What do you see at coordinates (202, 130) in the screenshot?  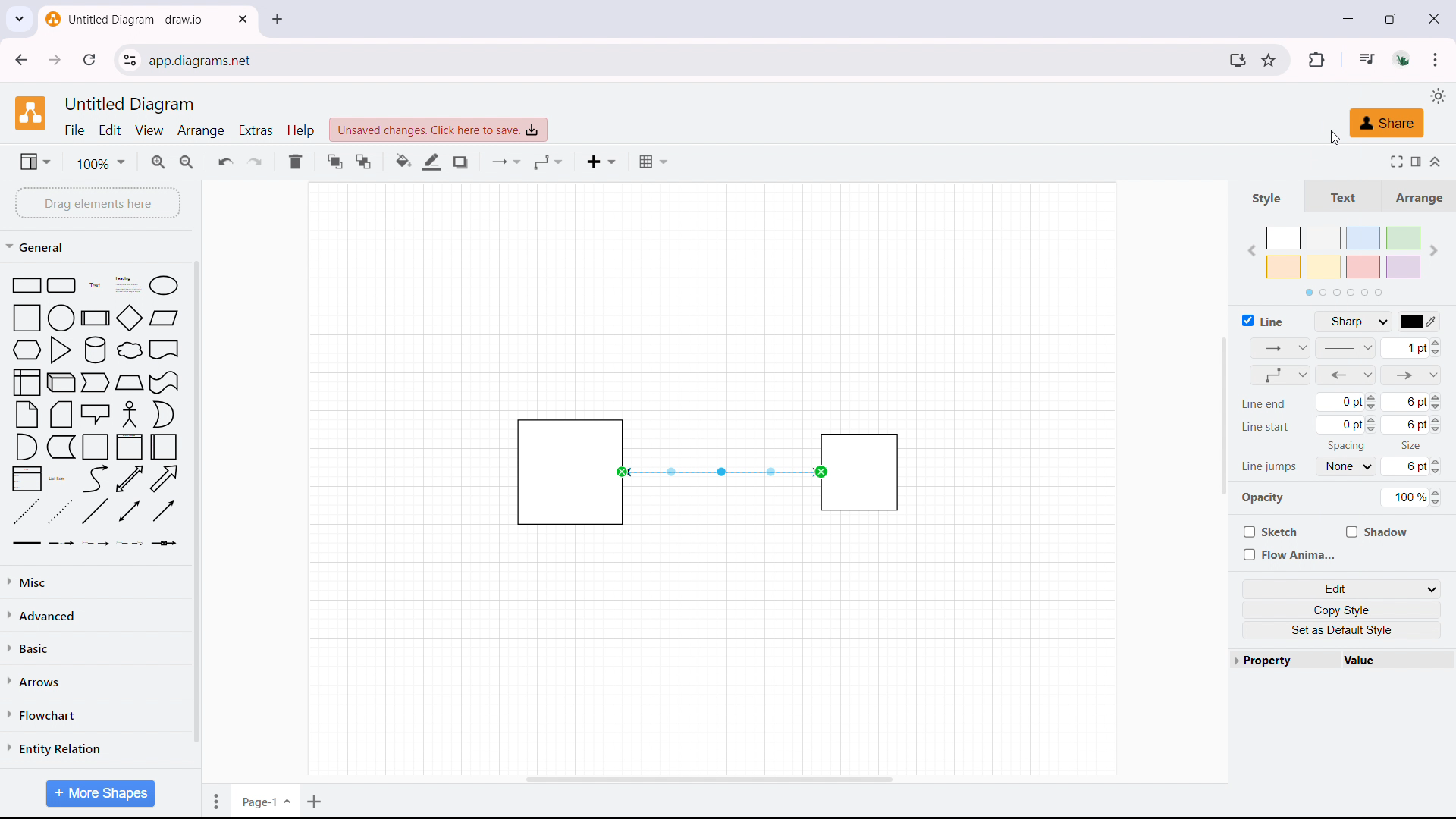 I see `arrange` at bounding box center [202, 130].